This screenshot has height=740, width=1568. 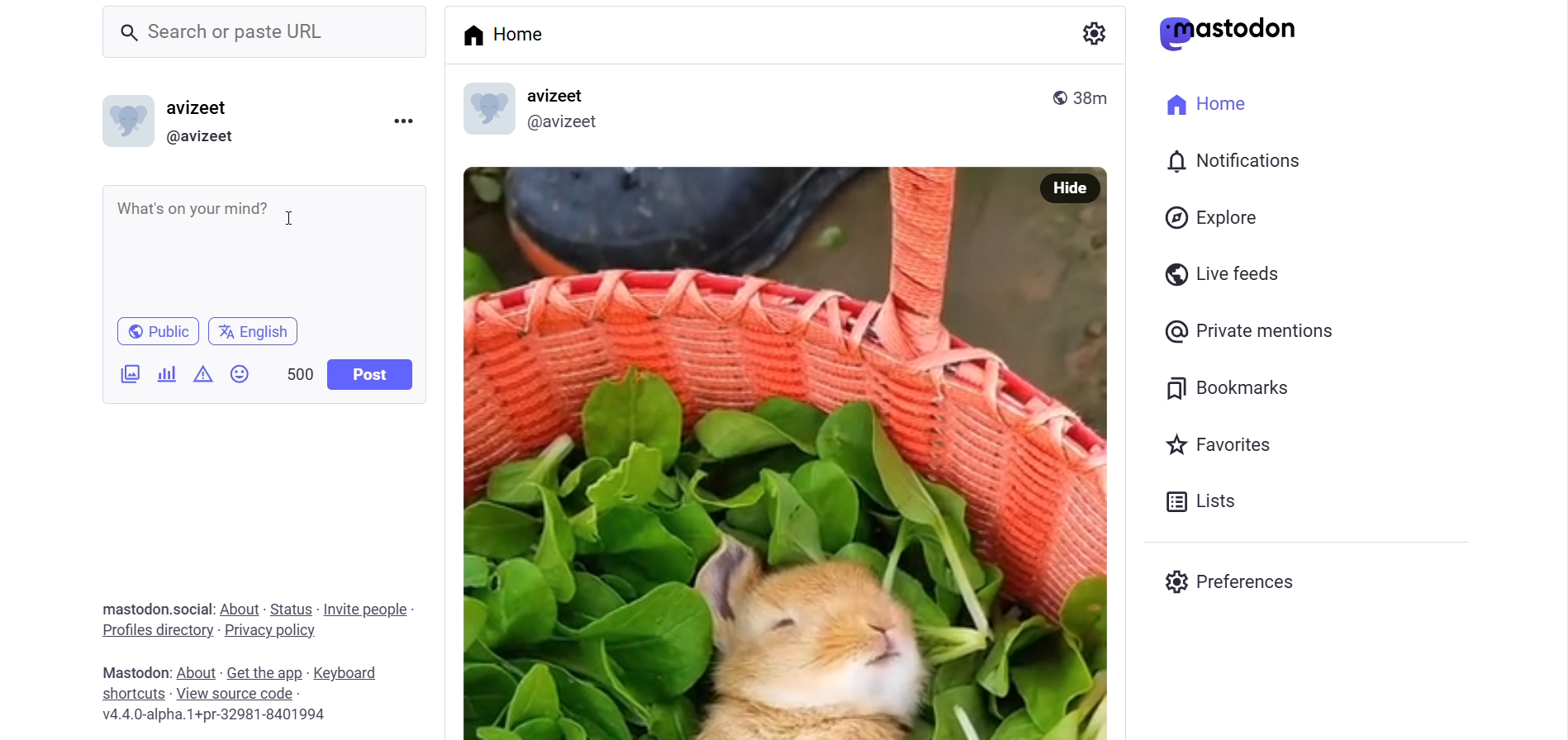 I want to click on Search or paste URL, so click(x=267, y=33).